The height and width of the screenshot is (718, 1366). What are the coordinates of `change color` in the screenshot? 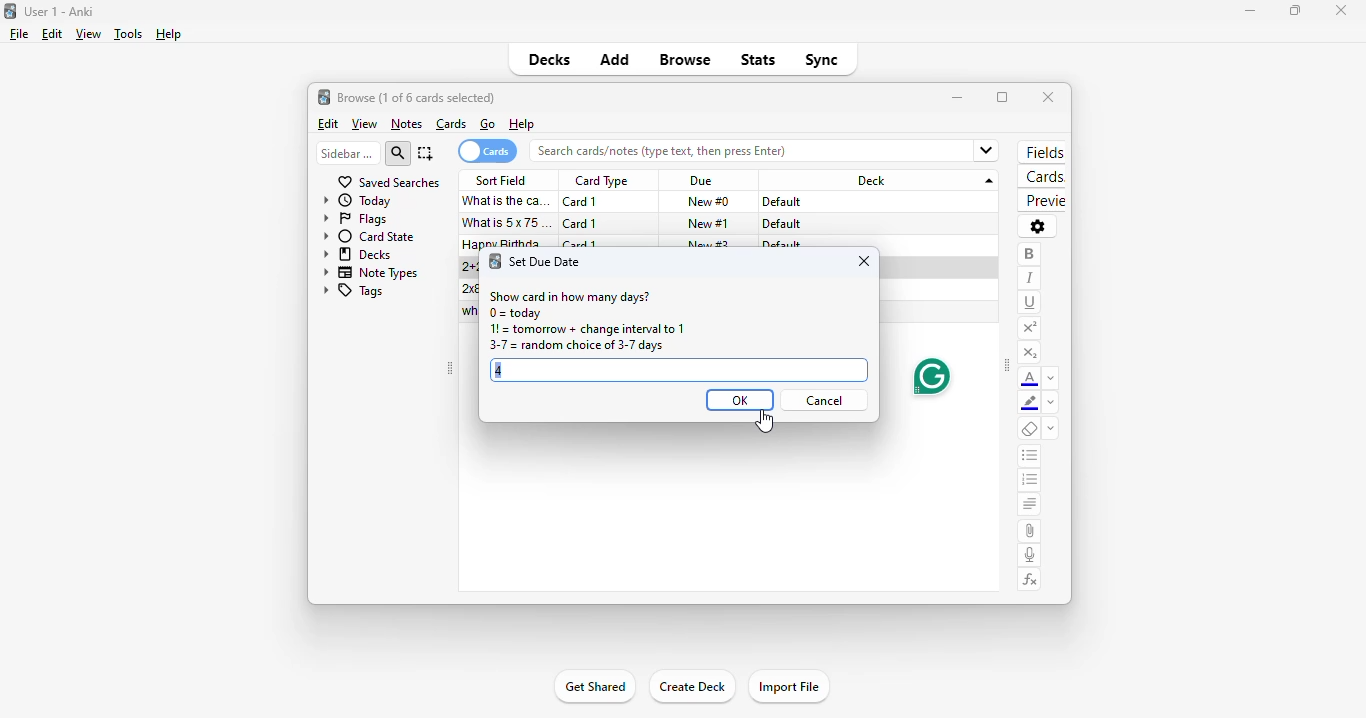 It's located at (1051, 378).